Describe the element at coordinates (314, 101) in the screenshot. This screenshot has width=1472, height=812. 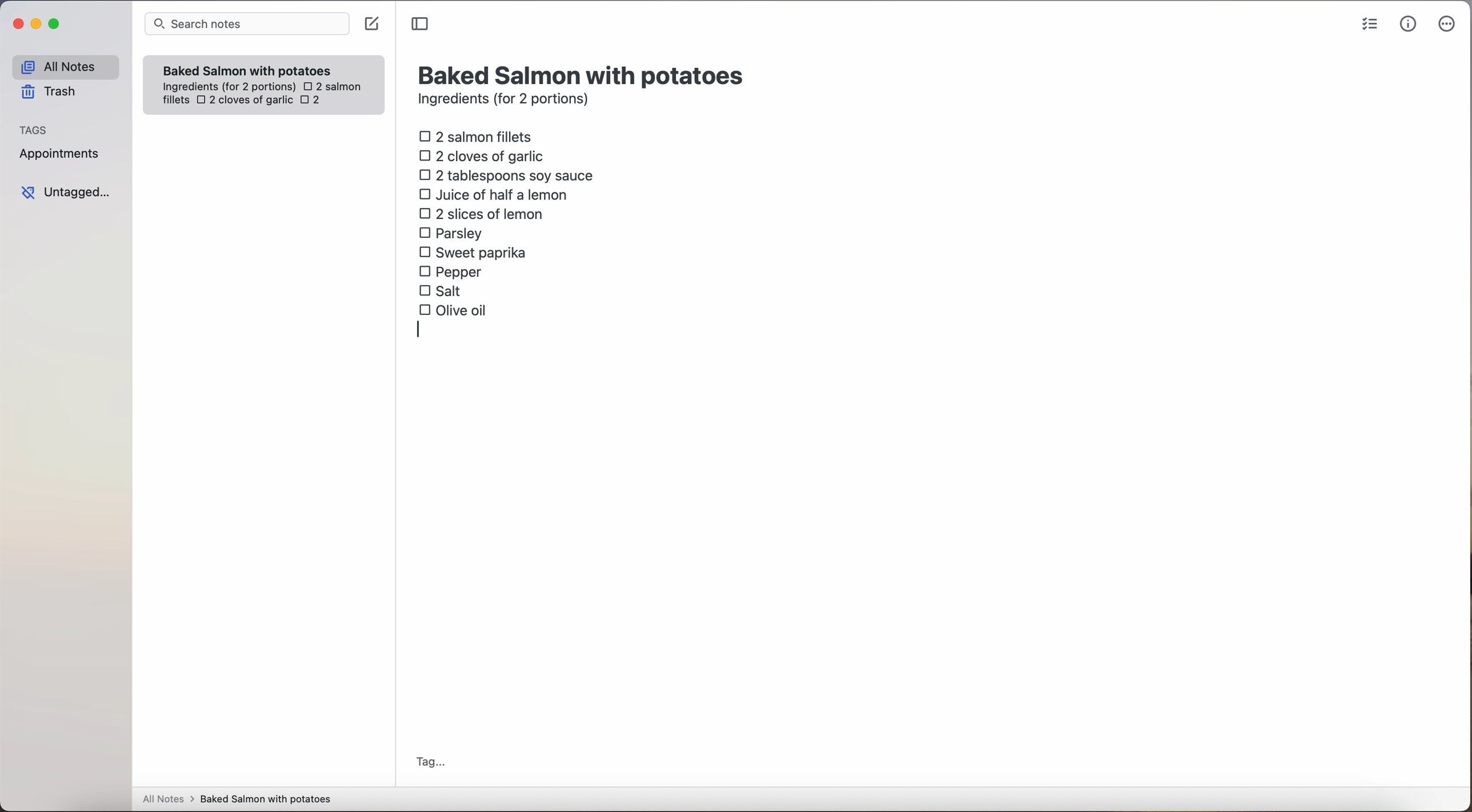
I see `2 ` at that location.